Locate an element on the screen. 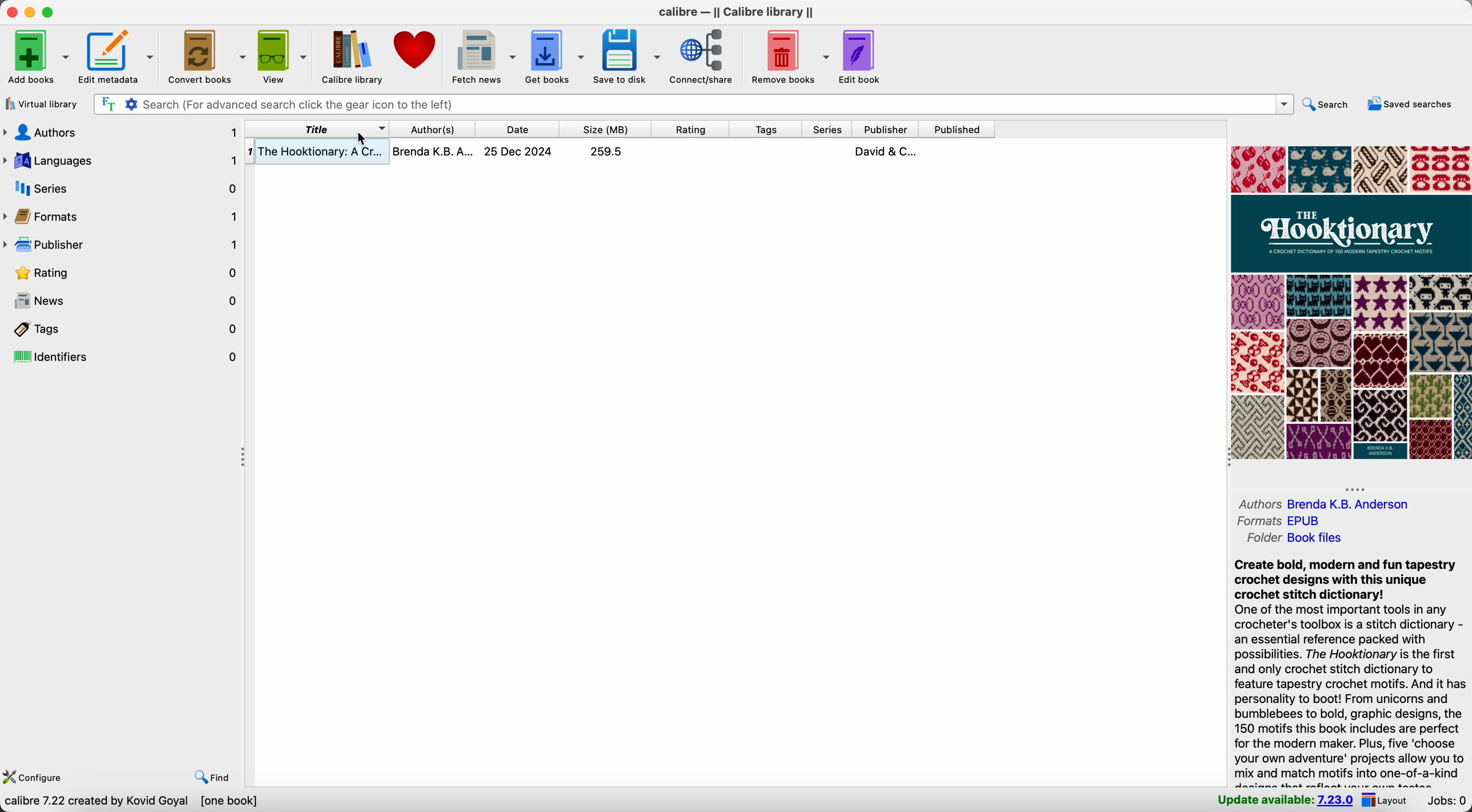  layout is located at coordinates (1387, 801).